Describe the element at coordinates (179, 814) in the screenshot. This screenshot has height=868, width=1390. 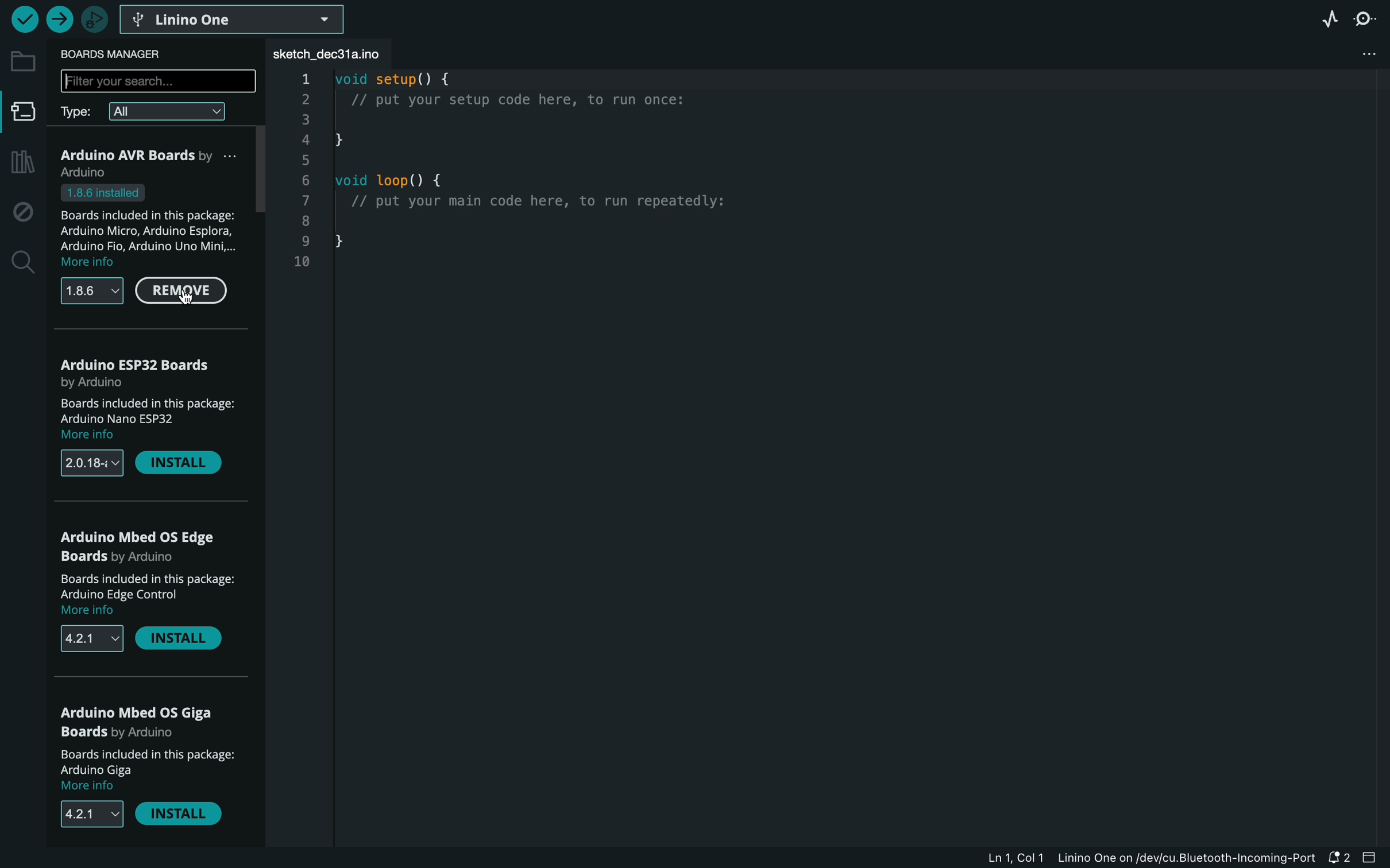
I see `install` at that location.